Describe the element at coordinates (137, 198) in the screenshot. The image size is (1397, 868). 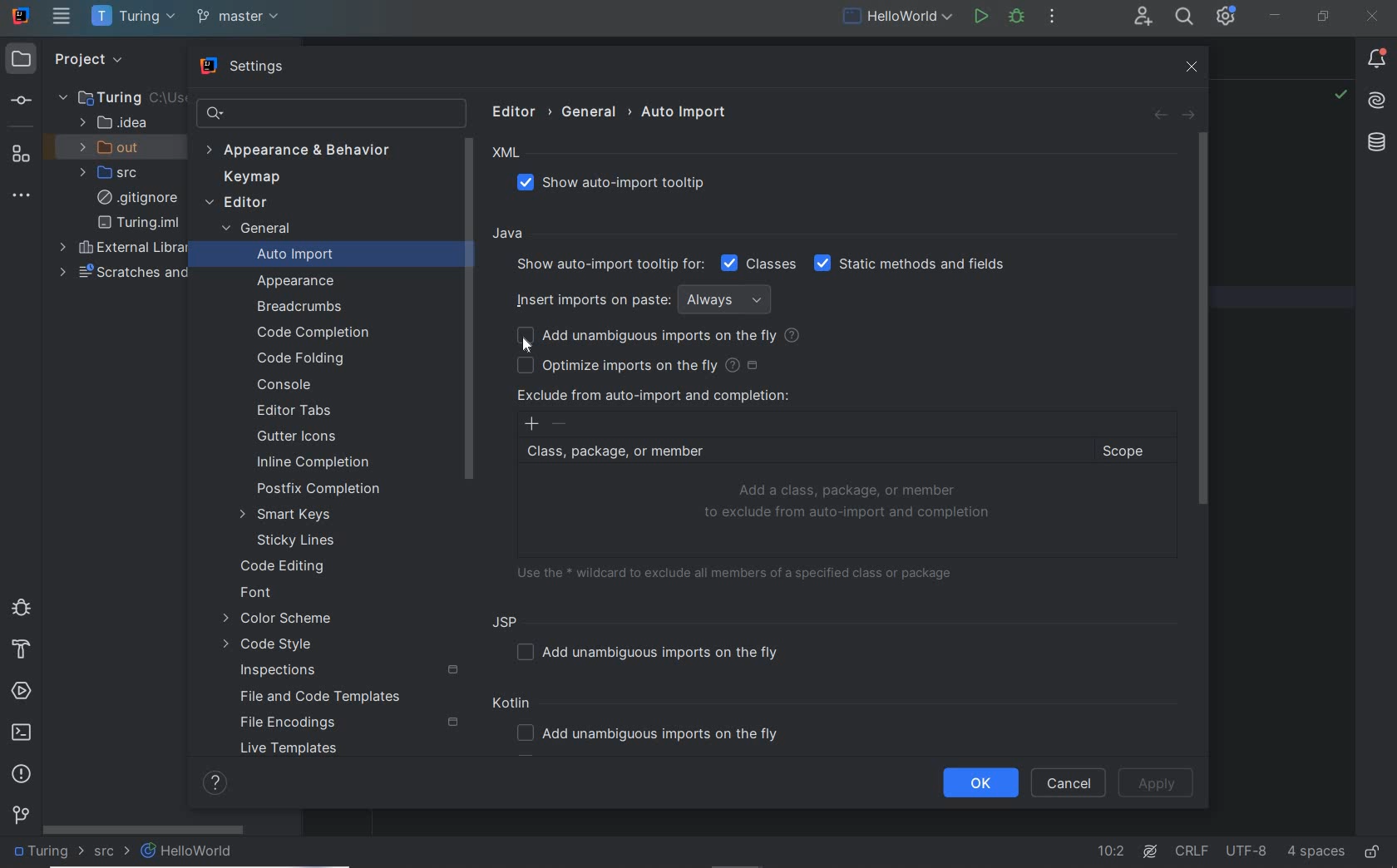
I see `gitignore` at that location.